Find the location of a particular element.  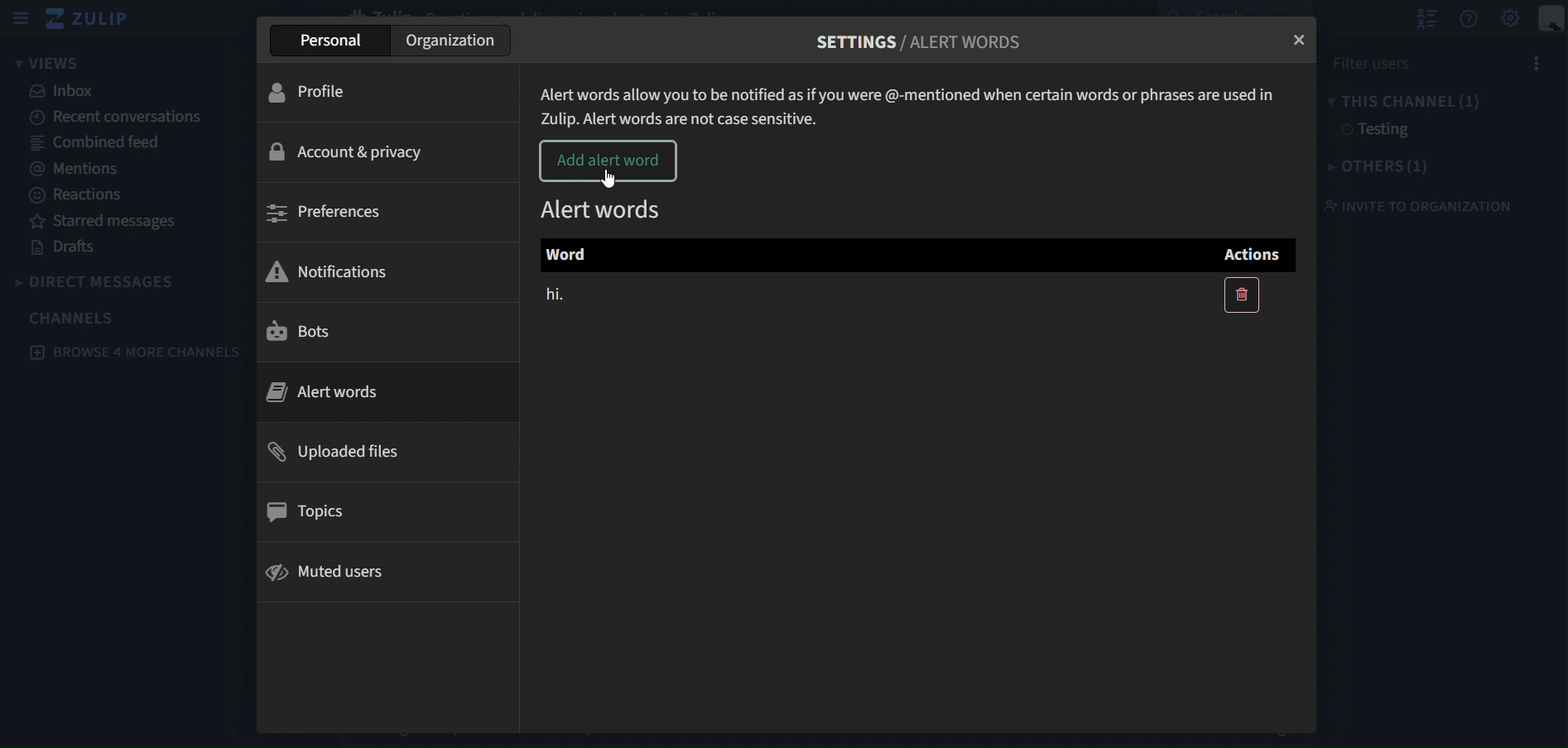

alert words is located at coordinates (352, 390).